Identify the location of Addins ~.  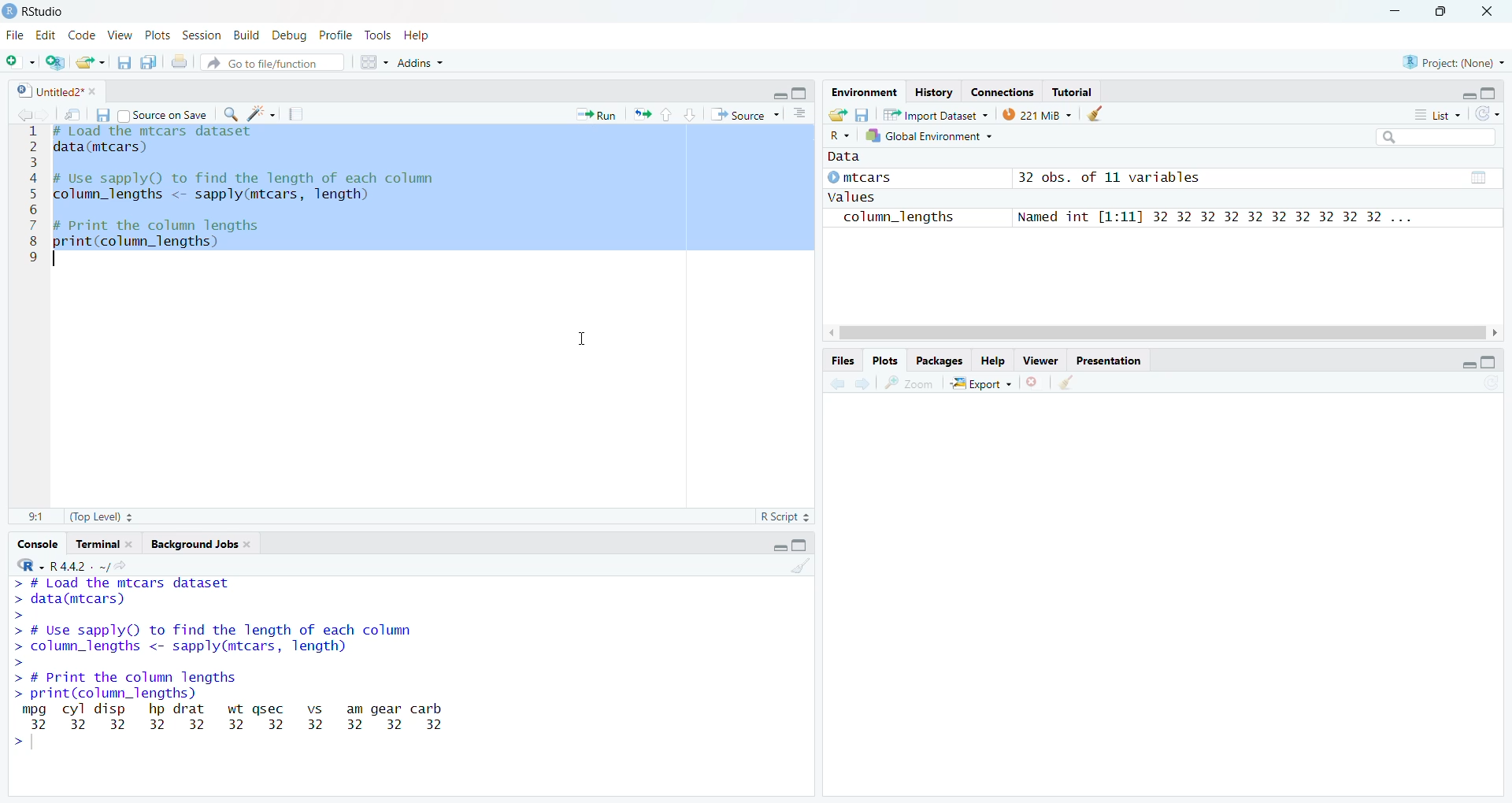
(421, 63).